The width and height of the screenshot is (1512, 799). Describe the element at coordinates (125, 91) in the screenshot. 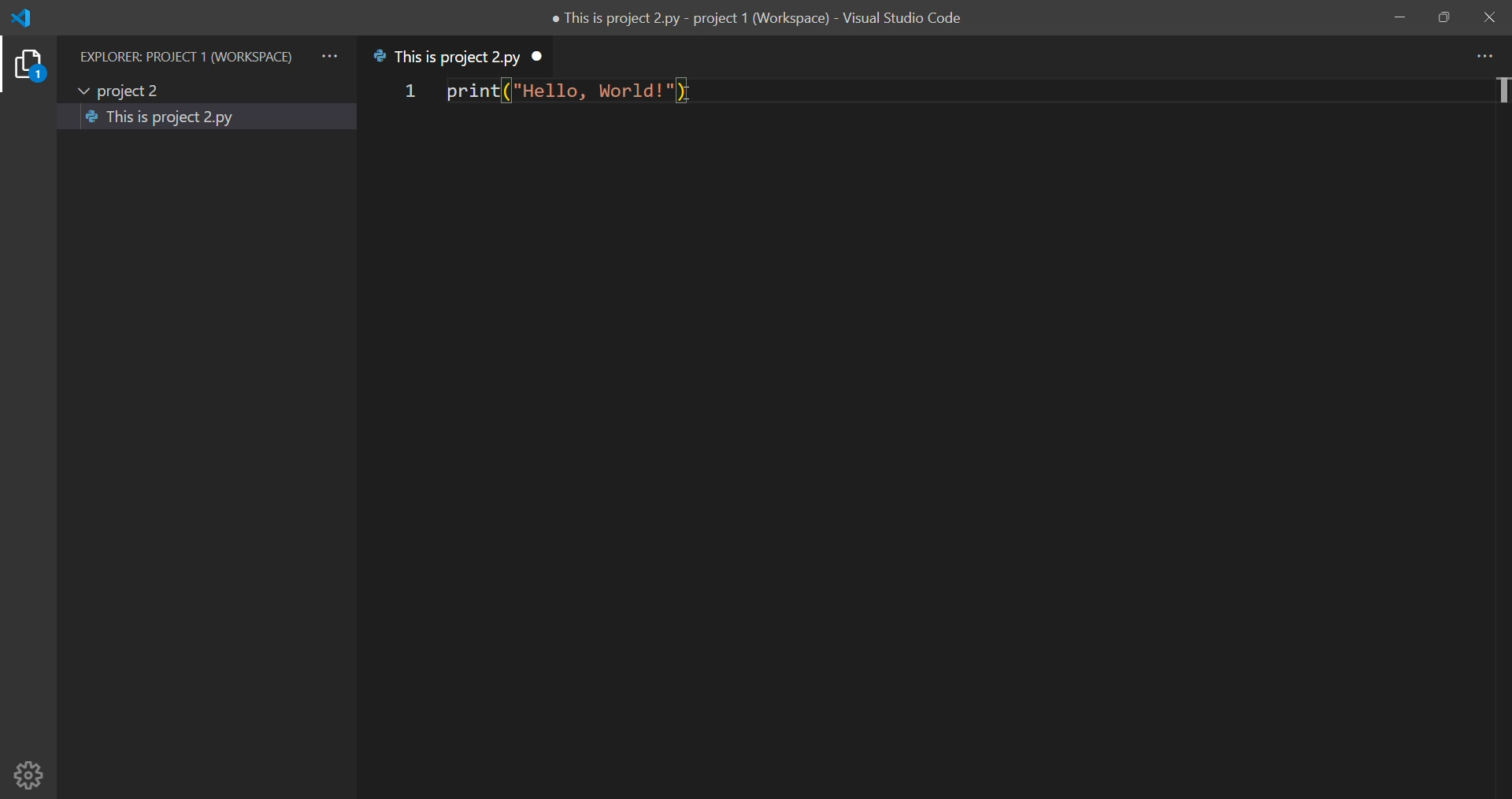

I see `project2` at that location.